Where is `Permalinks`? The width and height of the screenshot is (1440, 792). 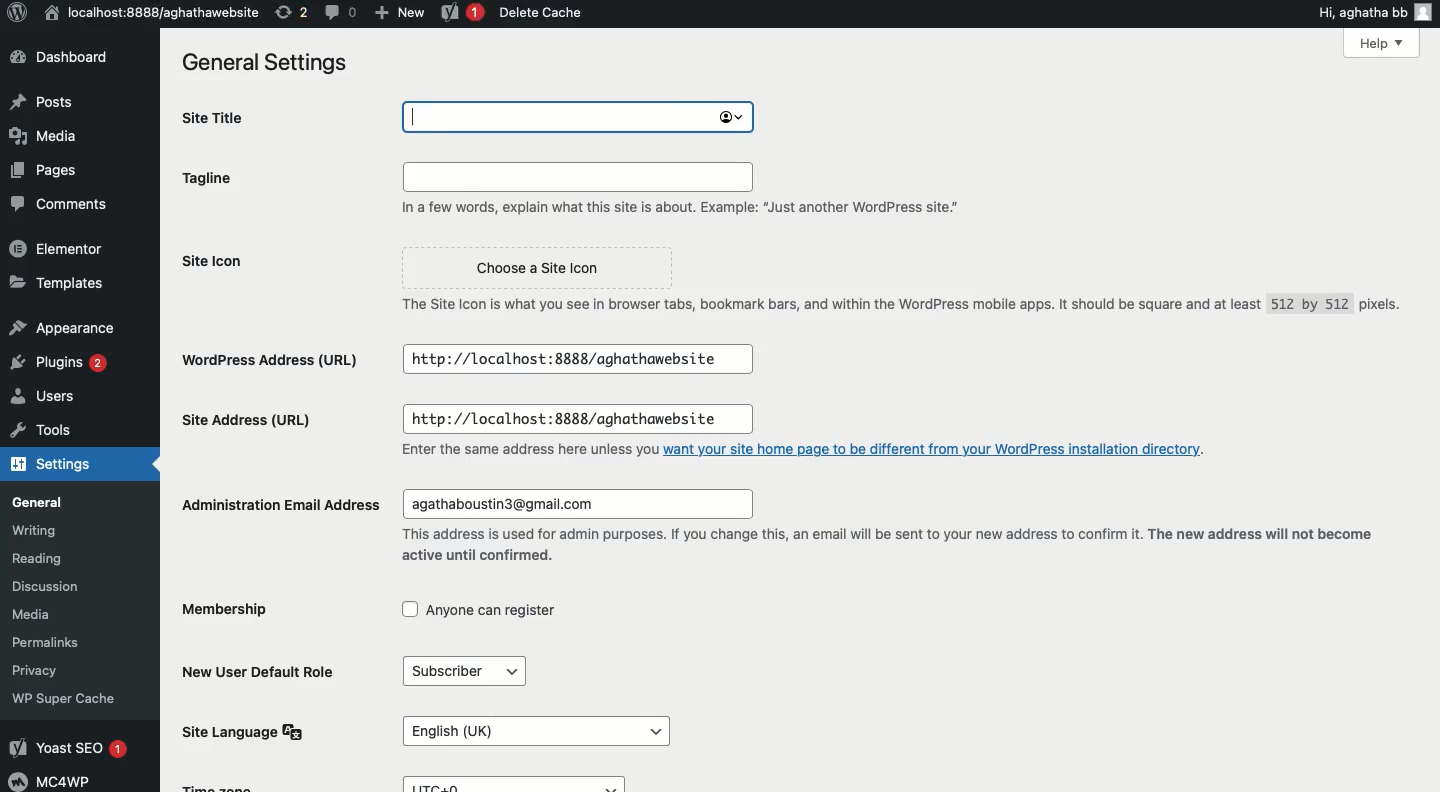
Permalinks is located at coordinates (50, 640).